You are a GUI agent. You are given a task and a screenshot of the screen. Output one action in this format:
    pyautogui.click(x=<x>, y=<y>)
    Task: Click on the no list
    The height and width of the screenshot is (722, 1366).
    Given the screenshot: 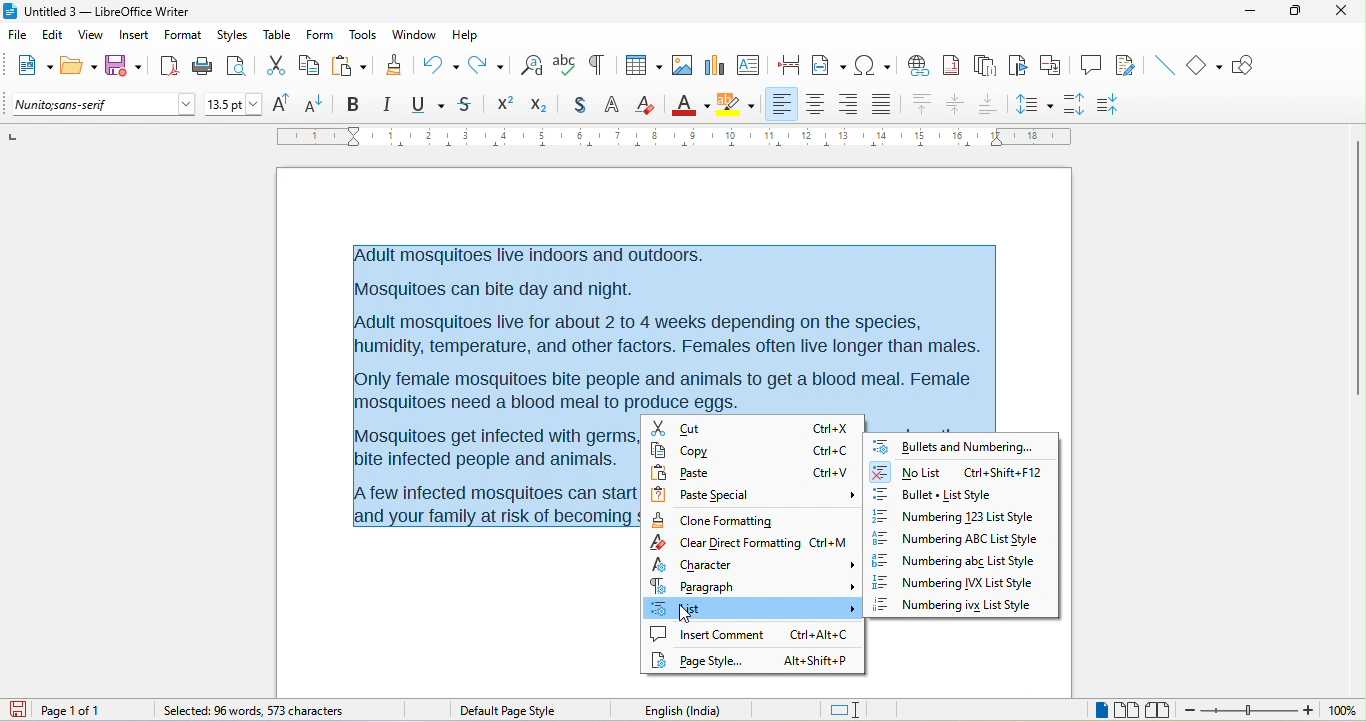 What is the action you would take?
    pyautogui.click(x=958, y=472)
    